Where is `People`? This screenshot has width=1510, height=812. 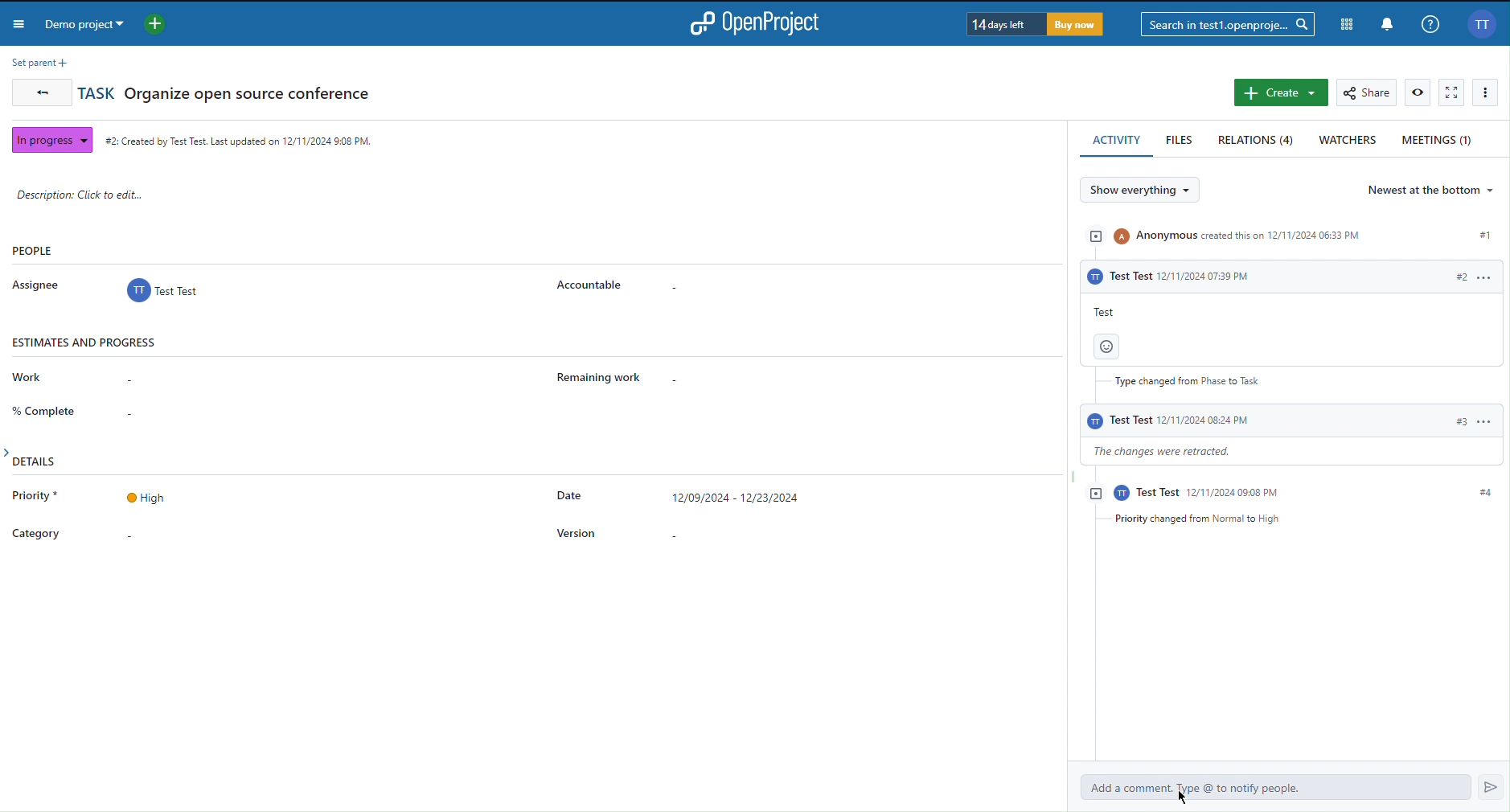 People is located at coordinates (333, 273).